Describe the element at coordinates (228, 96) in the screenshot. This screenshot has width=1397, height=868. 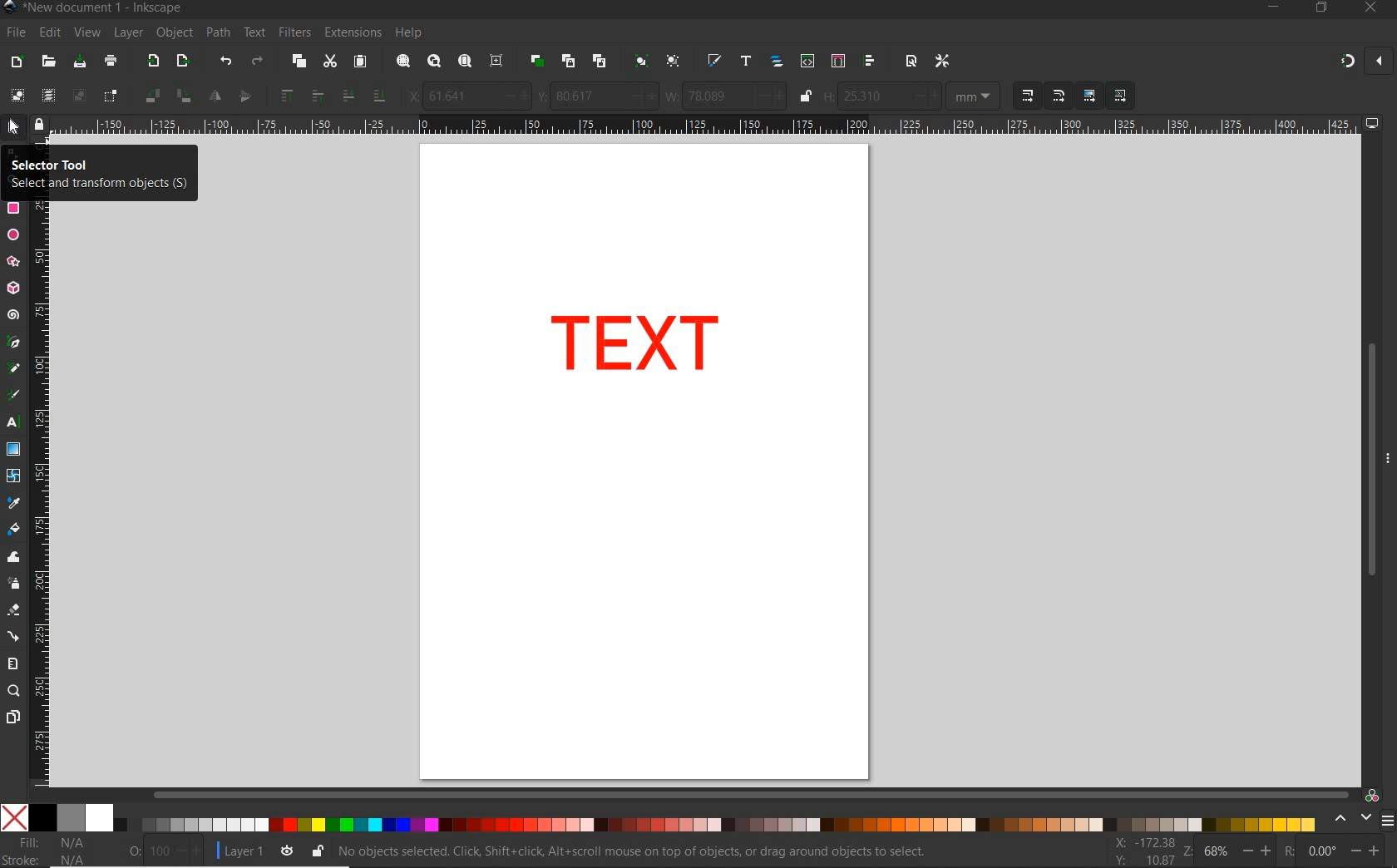
I see `object flip` at that location.